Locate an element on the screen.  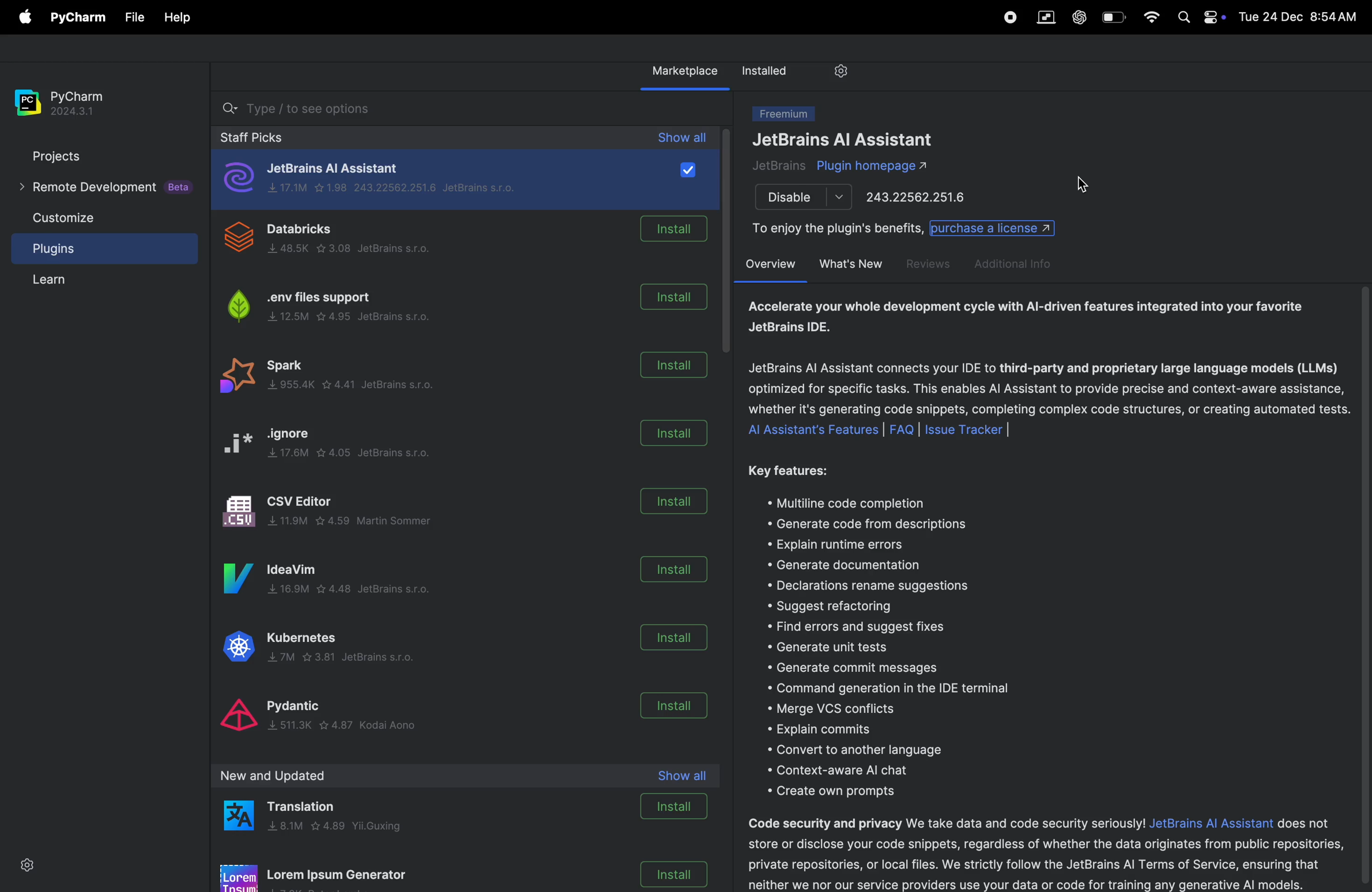
install is located at coordinates (669, 508).